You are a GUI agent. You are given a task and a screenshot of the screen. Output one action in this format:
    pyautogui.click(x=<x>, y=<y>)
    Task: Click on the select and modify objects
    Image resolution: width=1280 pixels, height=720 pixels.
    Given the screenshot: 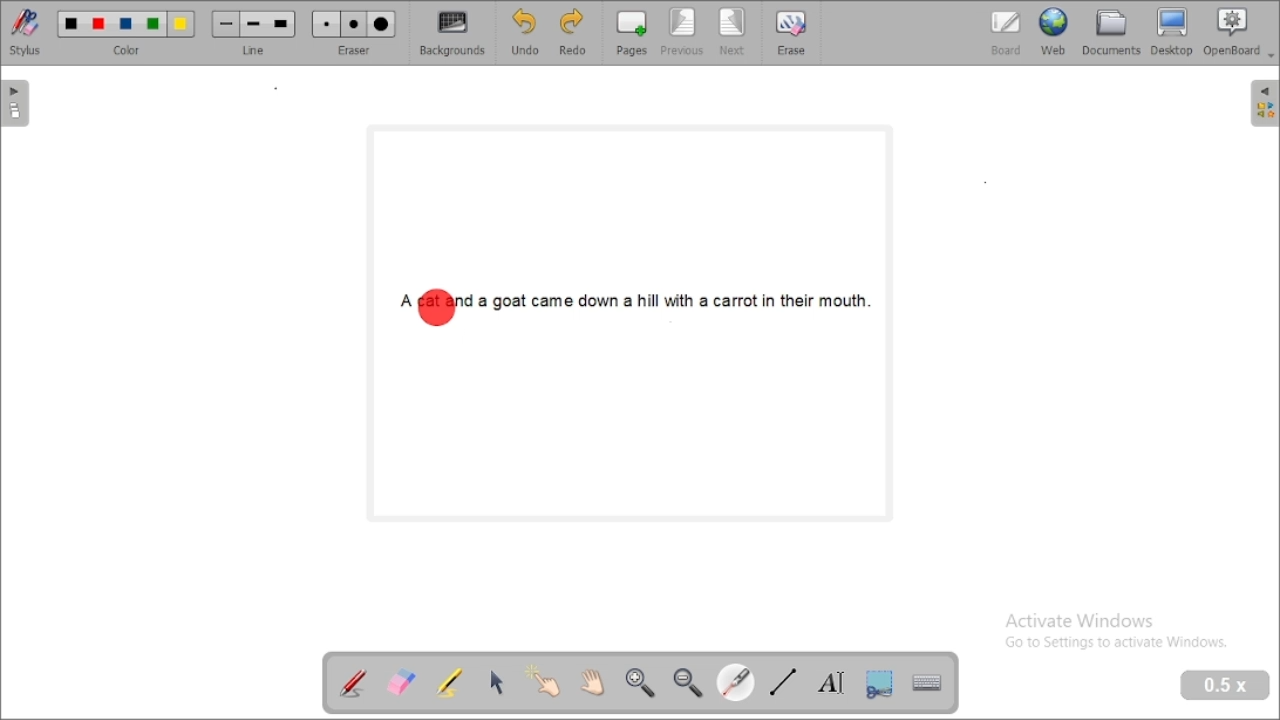 What is the action you would take?
    pyautogui.click(x=496, y=683)
    